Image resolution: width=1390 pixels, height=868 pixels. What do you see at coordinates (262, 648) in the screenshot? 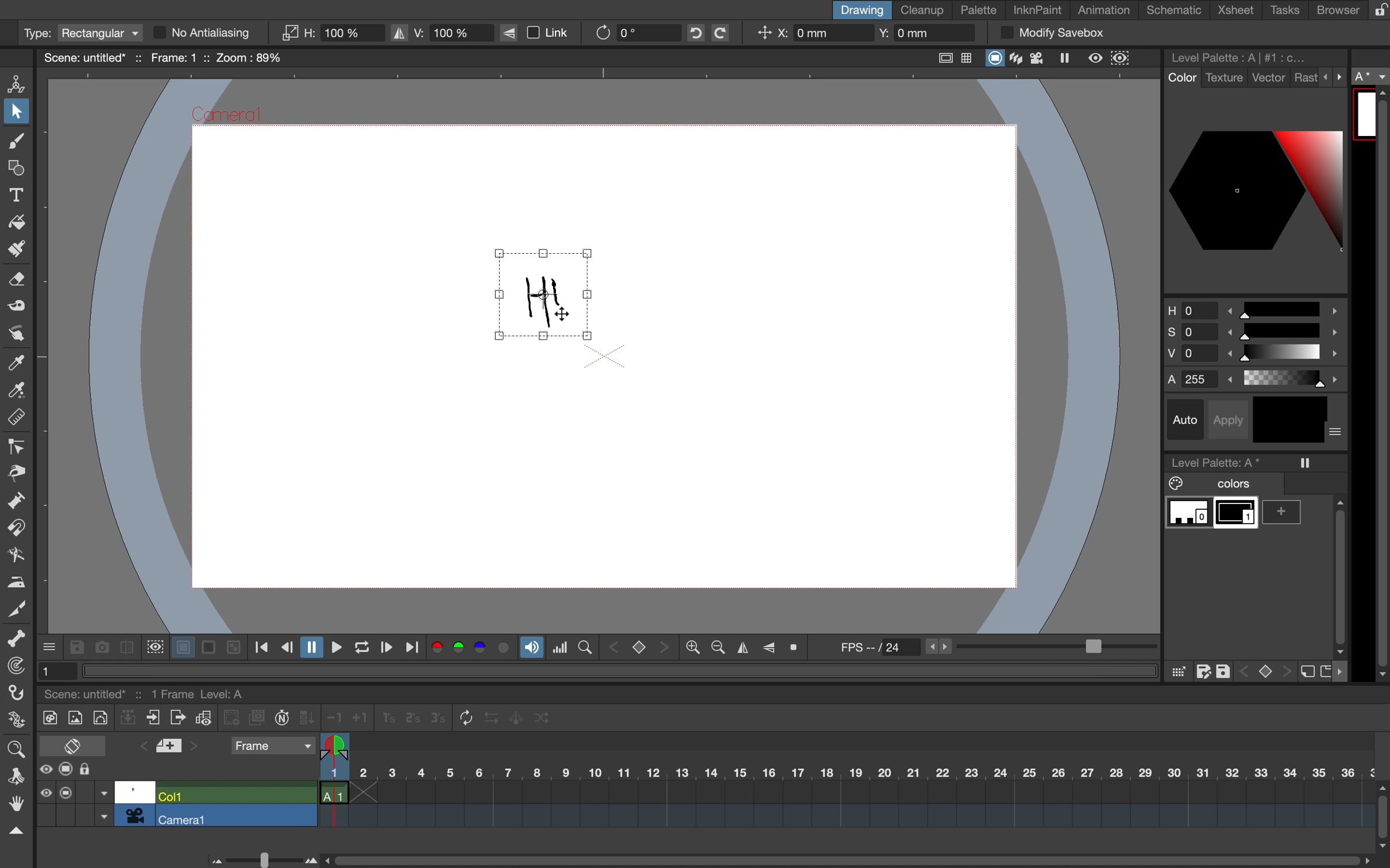
I see `first frame` at bounding box center [262, 648].